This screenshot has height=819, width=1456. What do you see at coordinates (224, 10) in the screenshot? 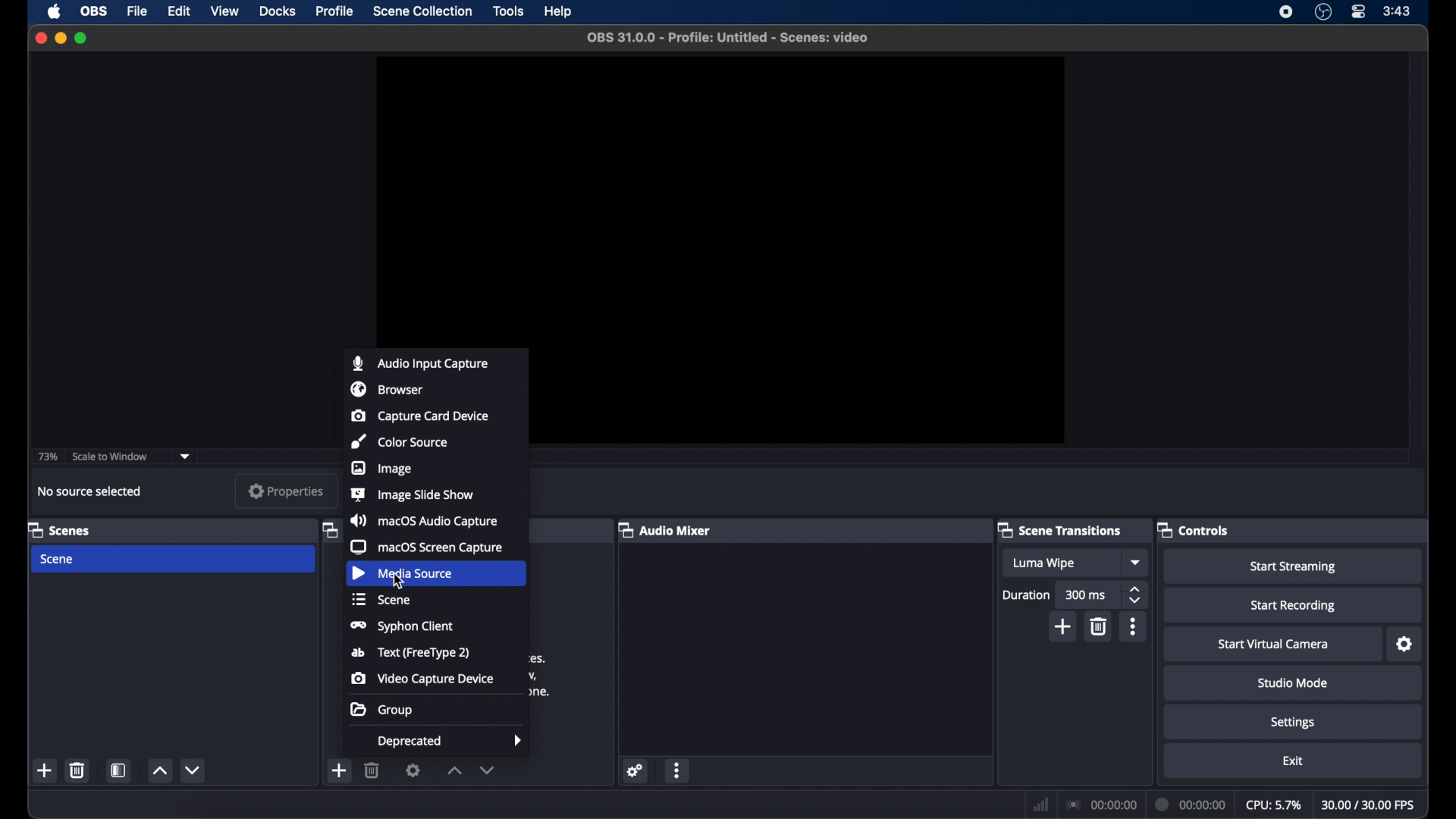
I see `view` at bounding box center [224, 10].